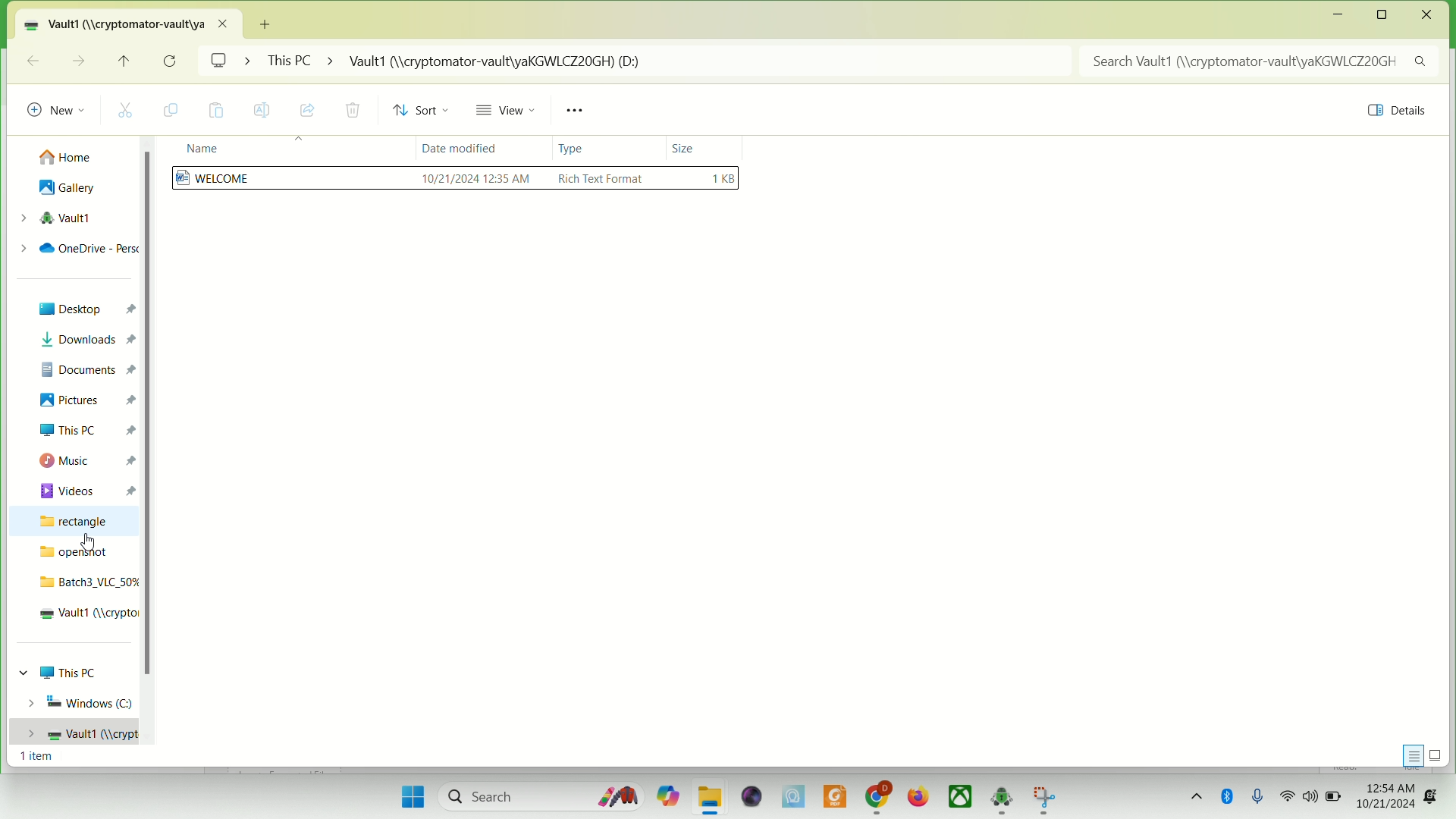 The width and height of the screenshot is (1456, 819). I want to click on gallery, so click(67, 189).